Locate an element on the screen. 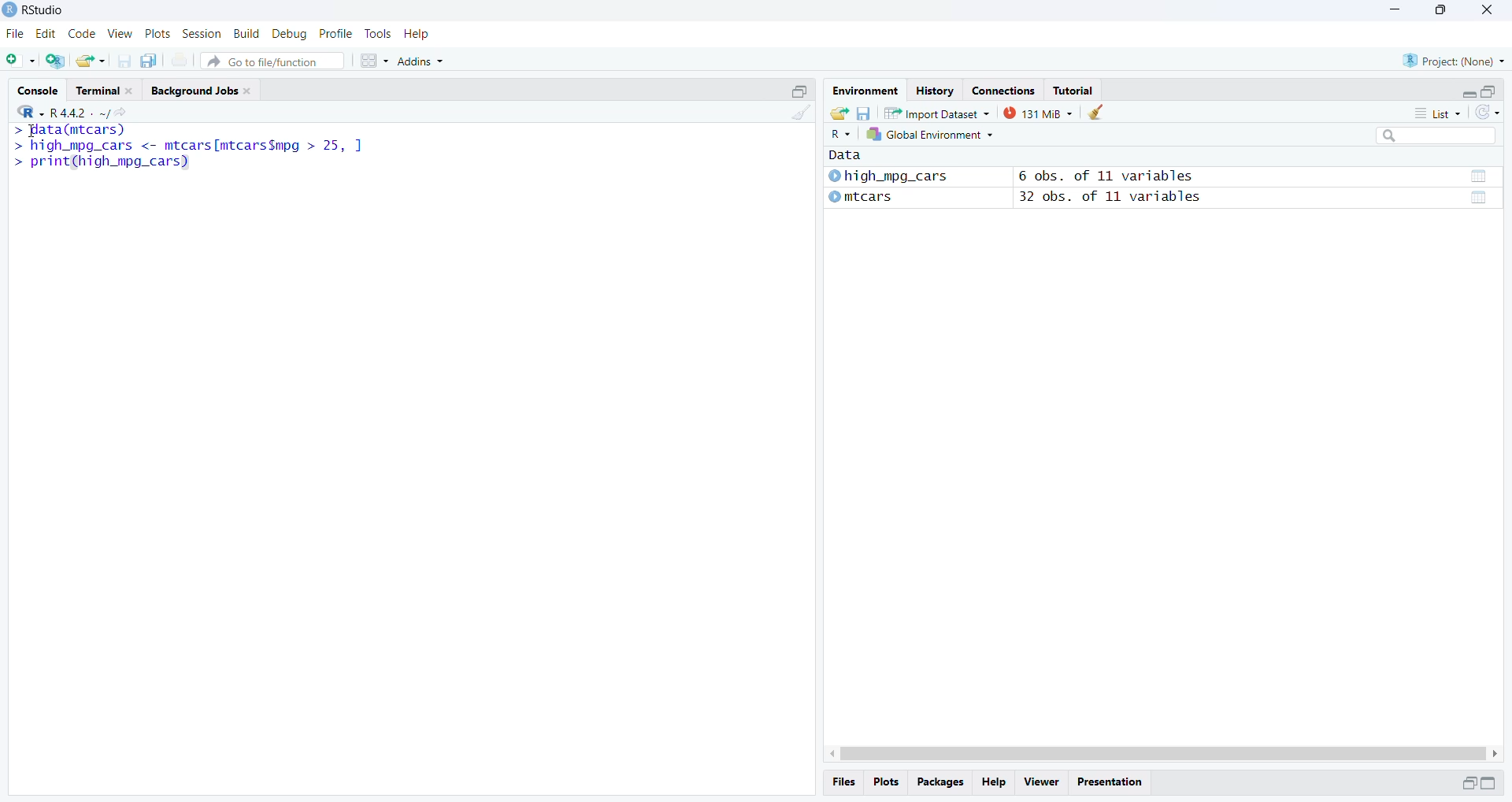 Image resolution: width=1512 pixels, height=802 pixels. data is located at coordinates (855, 154).